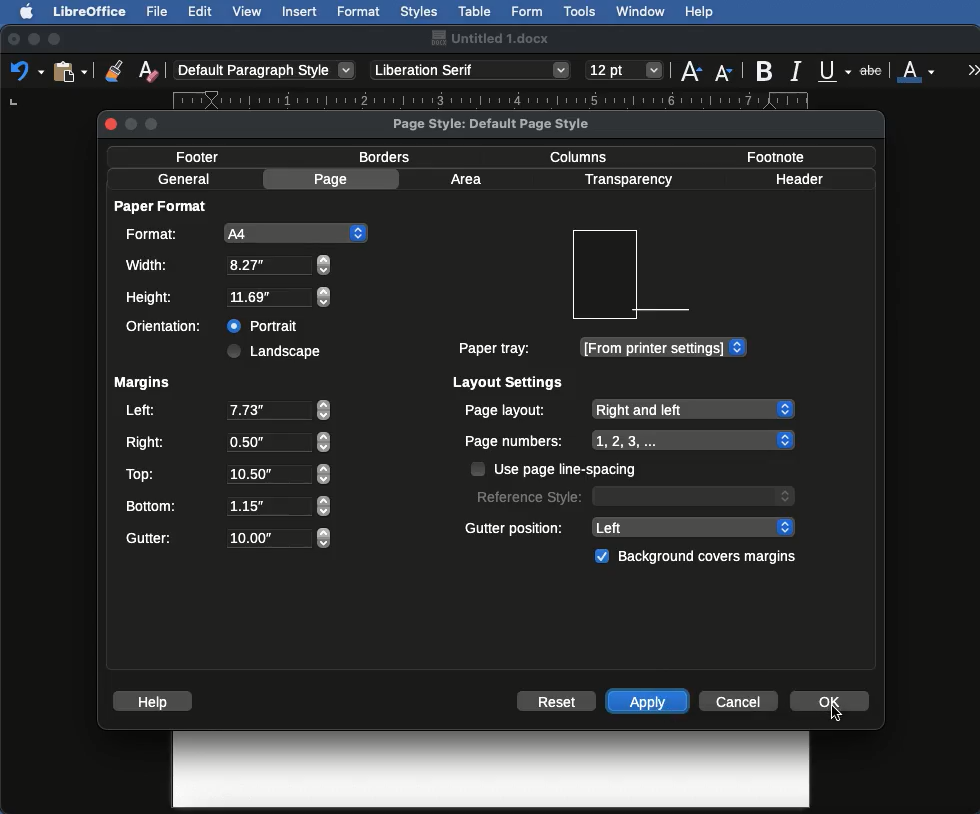 This screenshot has width=980, height=814. I want to click on LibreOffice, so click(89, 11).